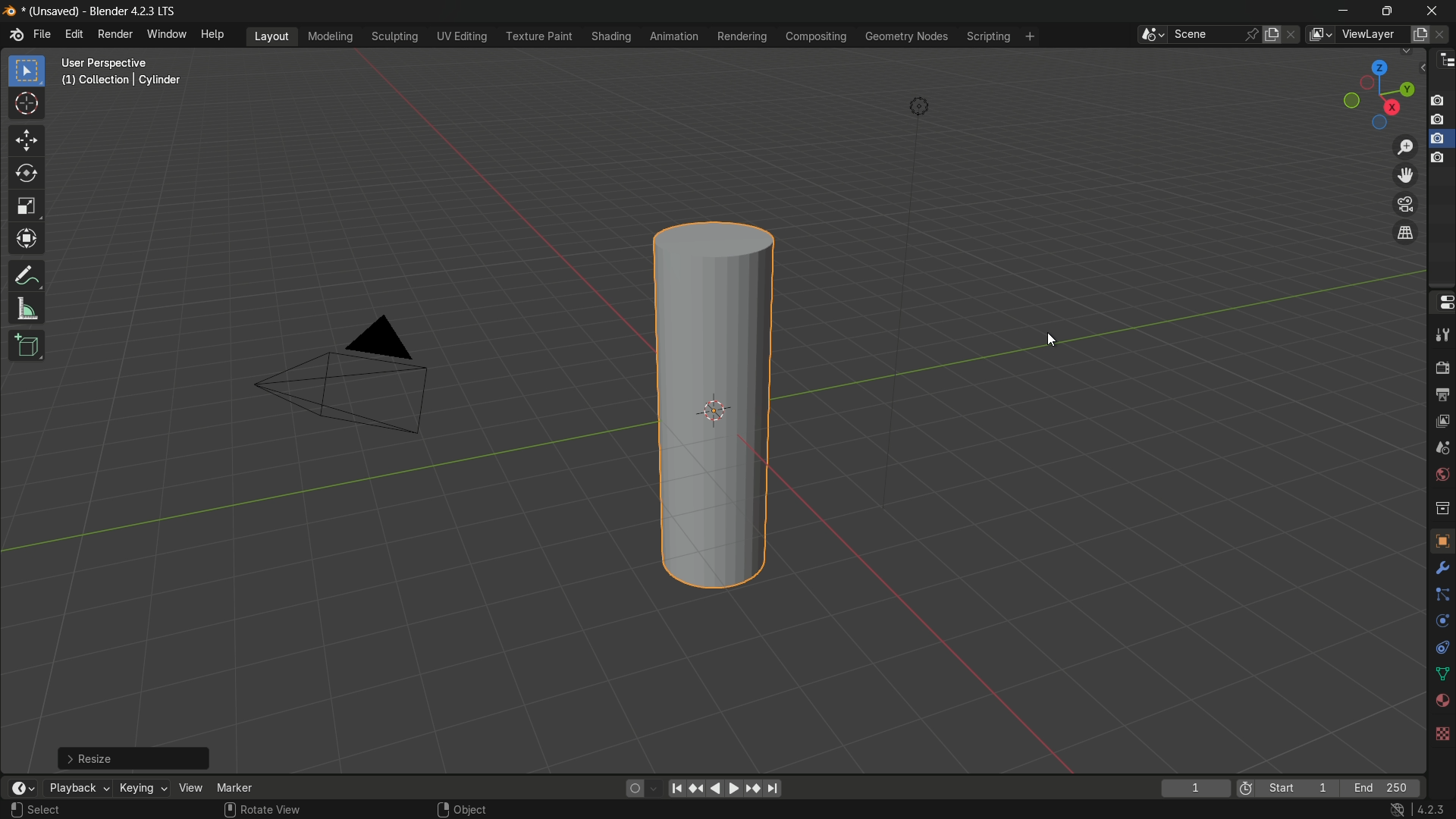  Describe the element at coordinates (27, 344) in the screenshot. I see `add cube` at that location.